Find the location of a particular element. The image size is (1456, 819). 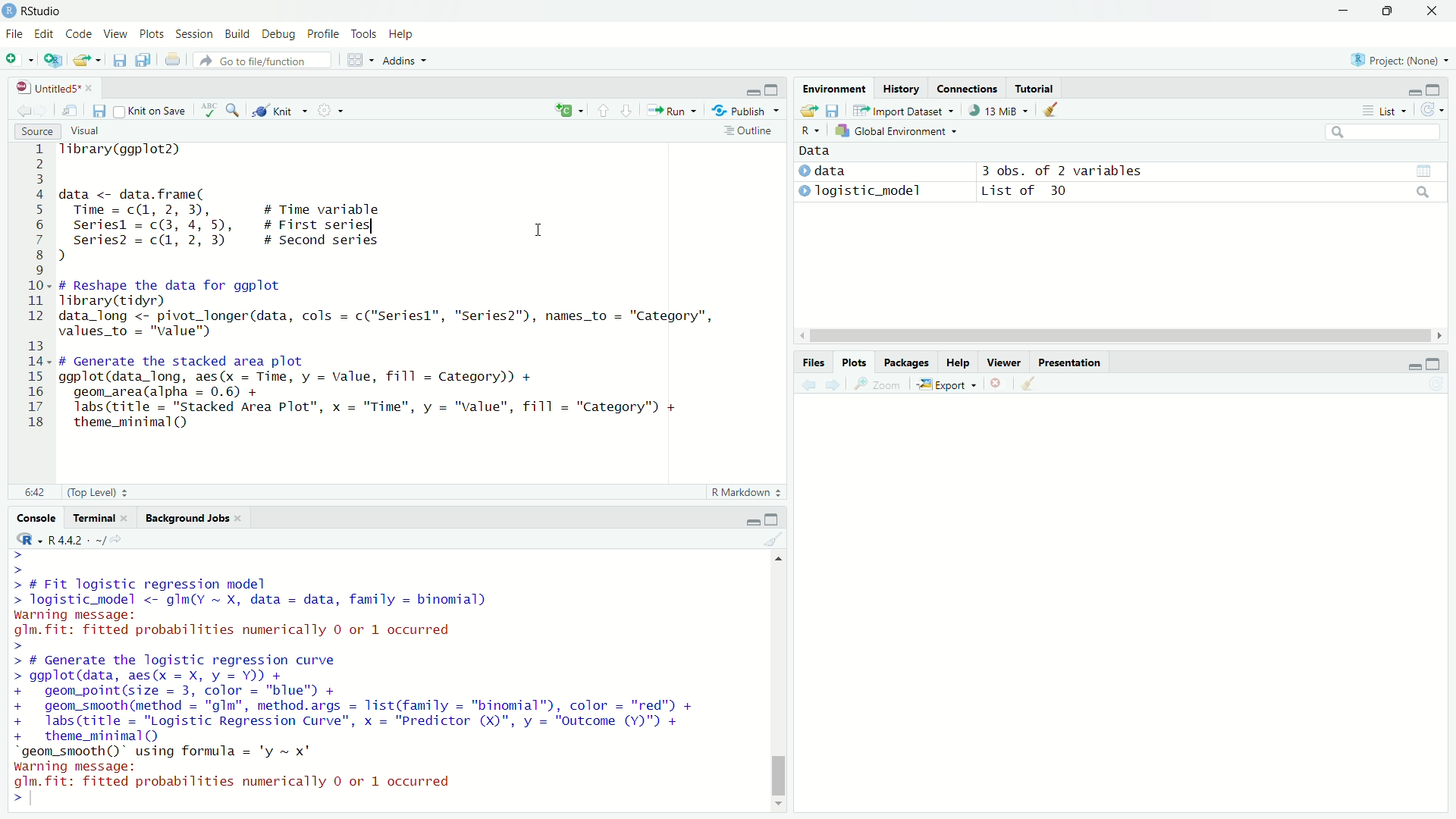

more is located at coordinates (1366, 113).